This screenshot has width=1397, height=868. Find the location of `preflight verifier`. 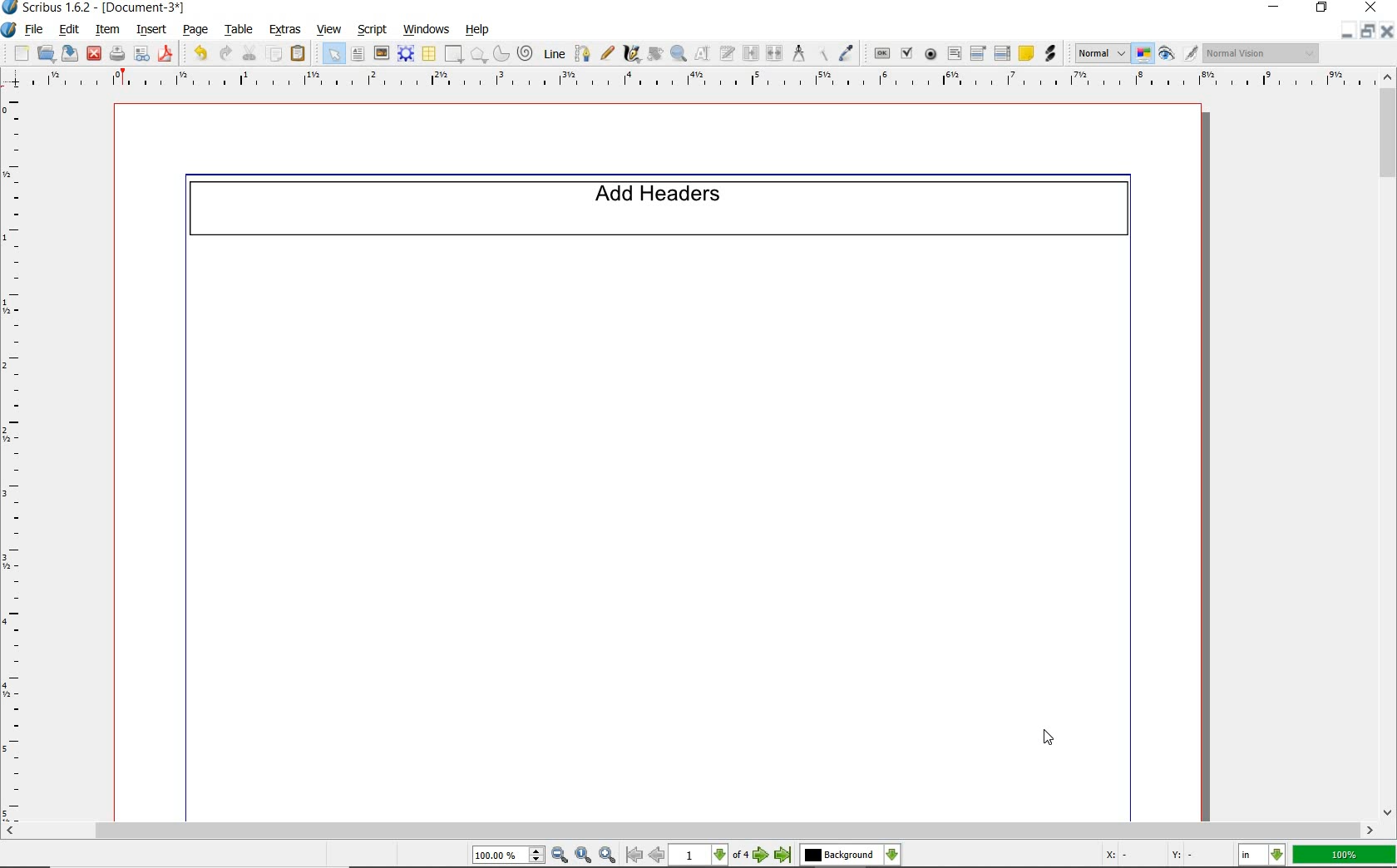

preflight verifier is located at coordinates (142, 55).